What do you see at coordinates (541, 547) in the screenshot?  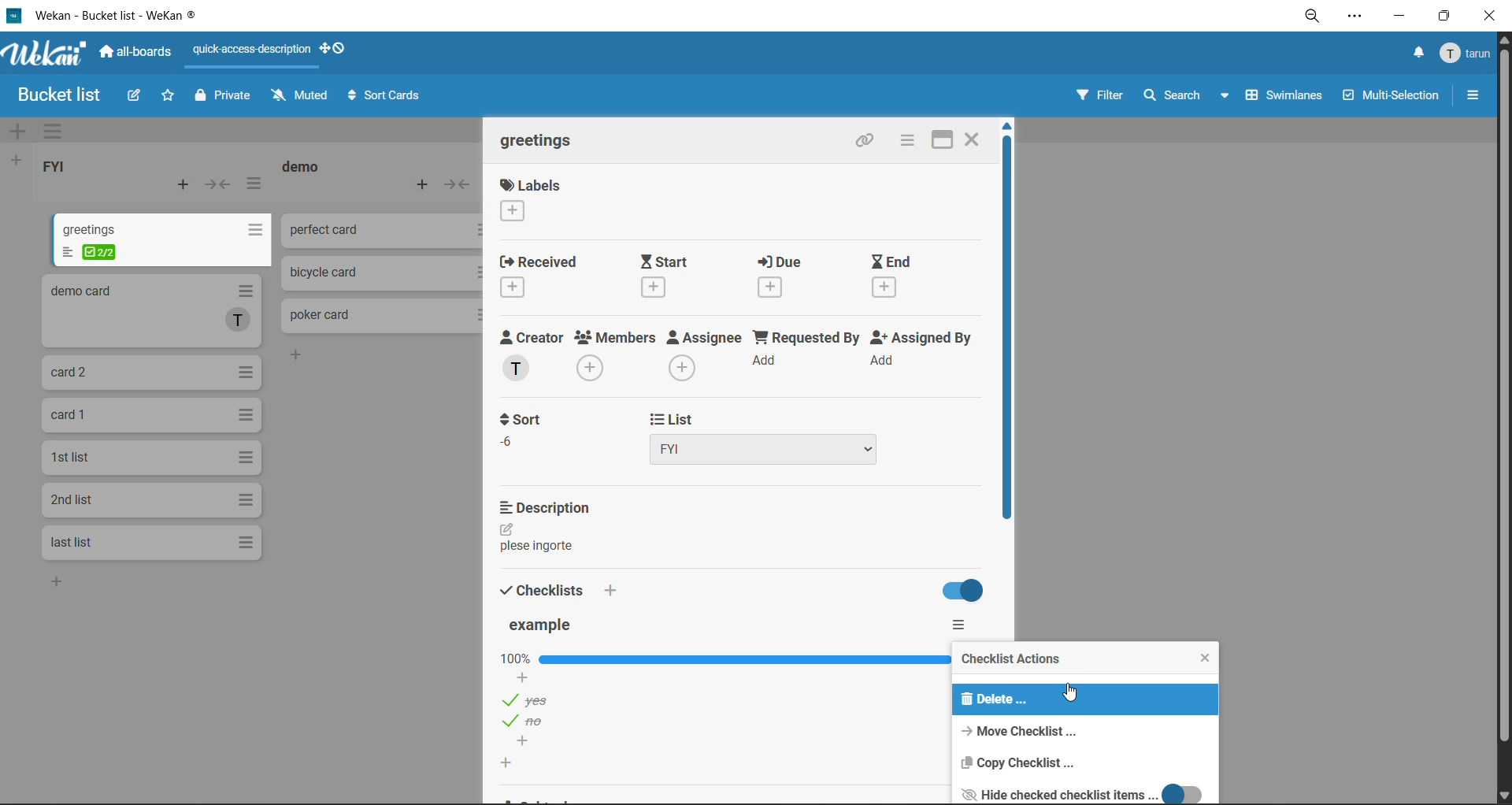 I see `text` at bounding box center [541, 547].